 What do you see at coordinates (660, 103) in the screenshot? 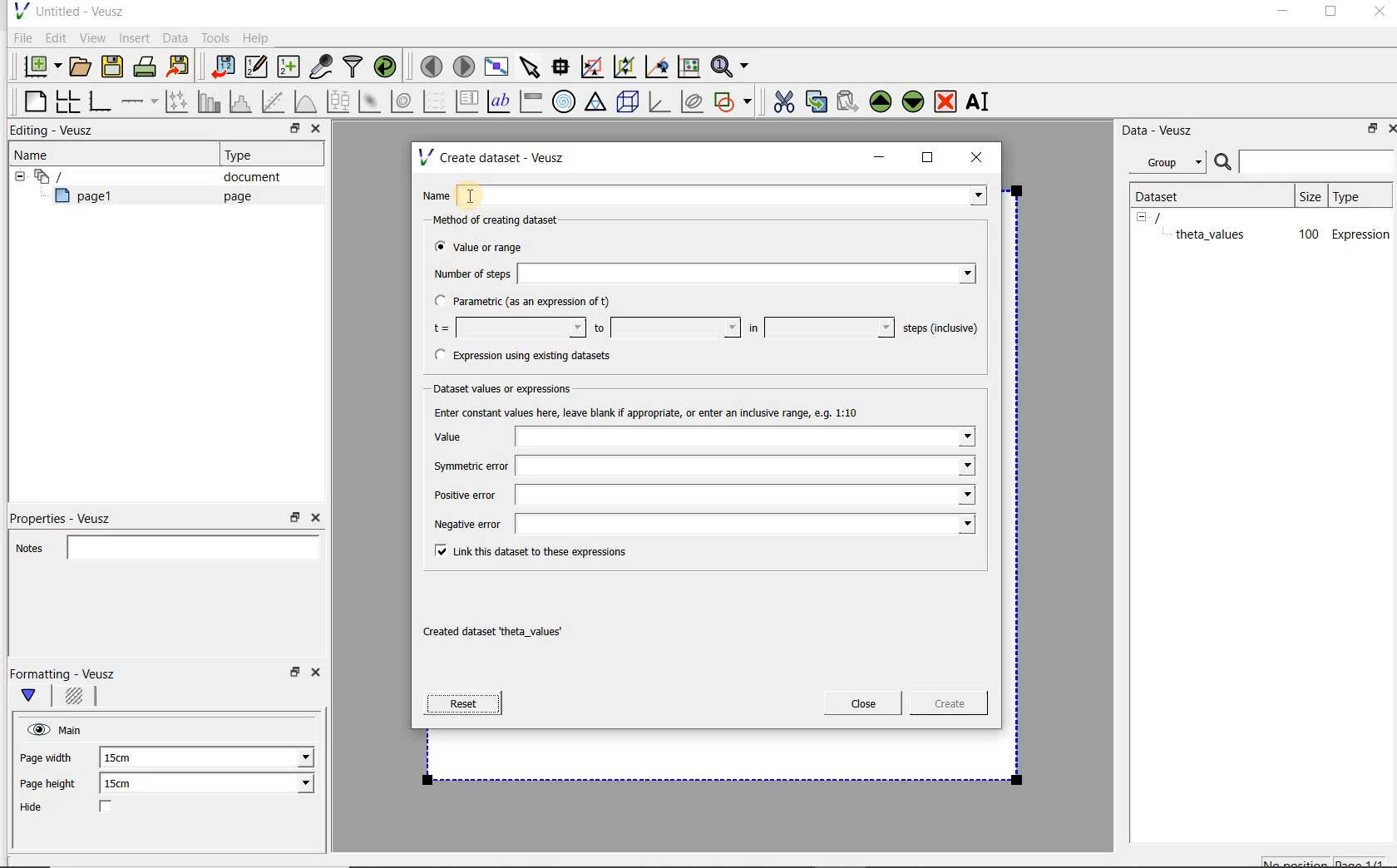
I see `3d graph` at bounding box center [660, 103].